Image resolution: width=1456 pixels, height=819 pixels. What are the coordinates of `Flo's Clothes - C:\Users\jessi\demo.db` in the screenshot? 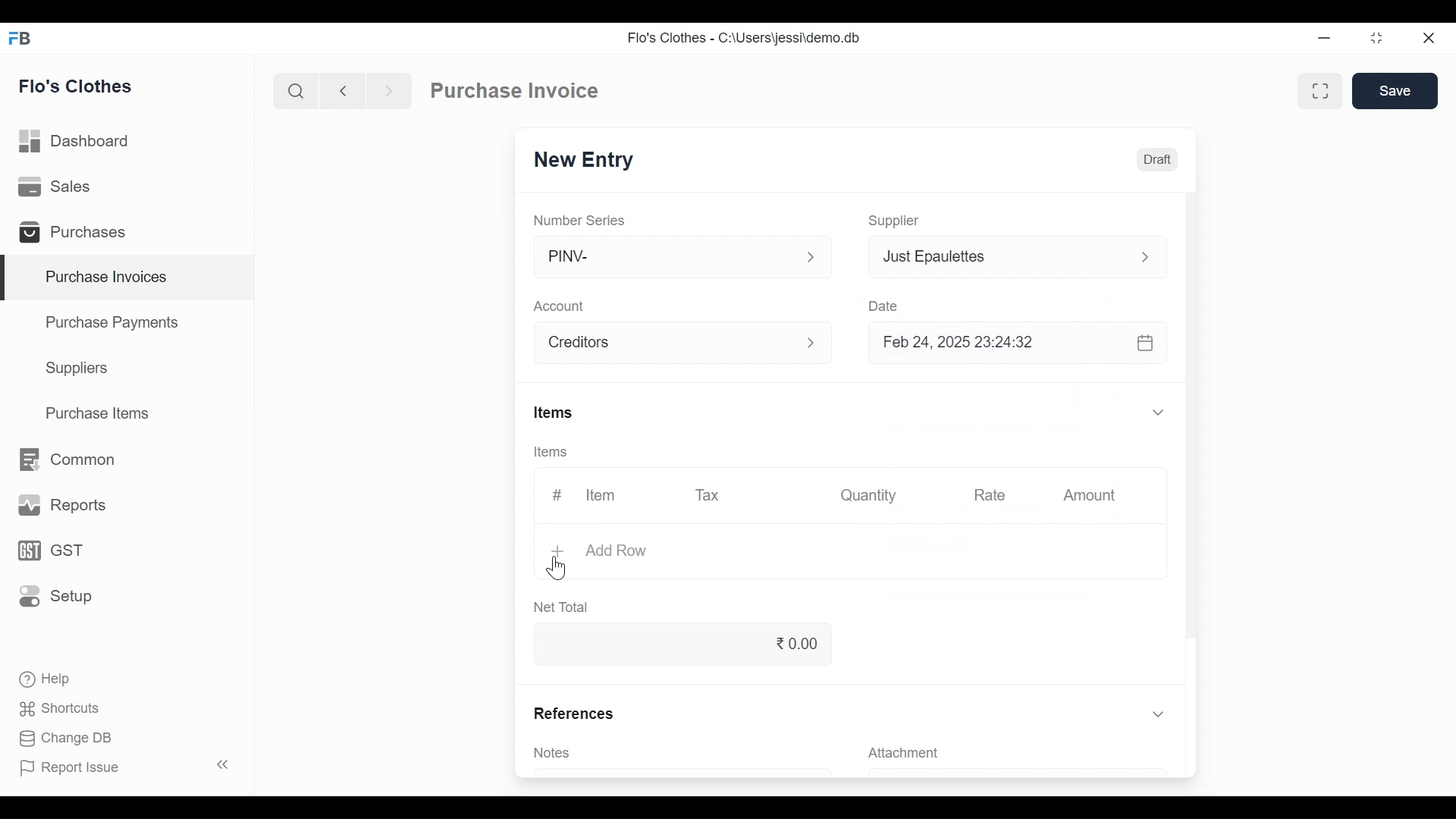 It's located at (746, 36).